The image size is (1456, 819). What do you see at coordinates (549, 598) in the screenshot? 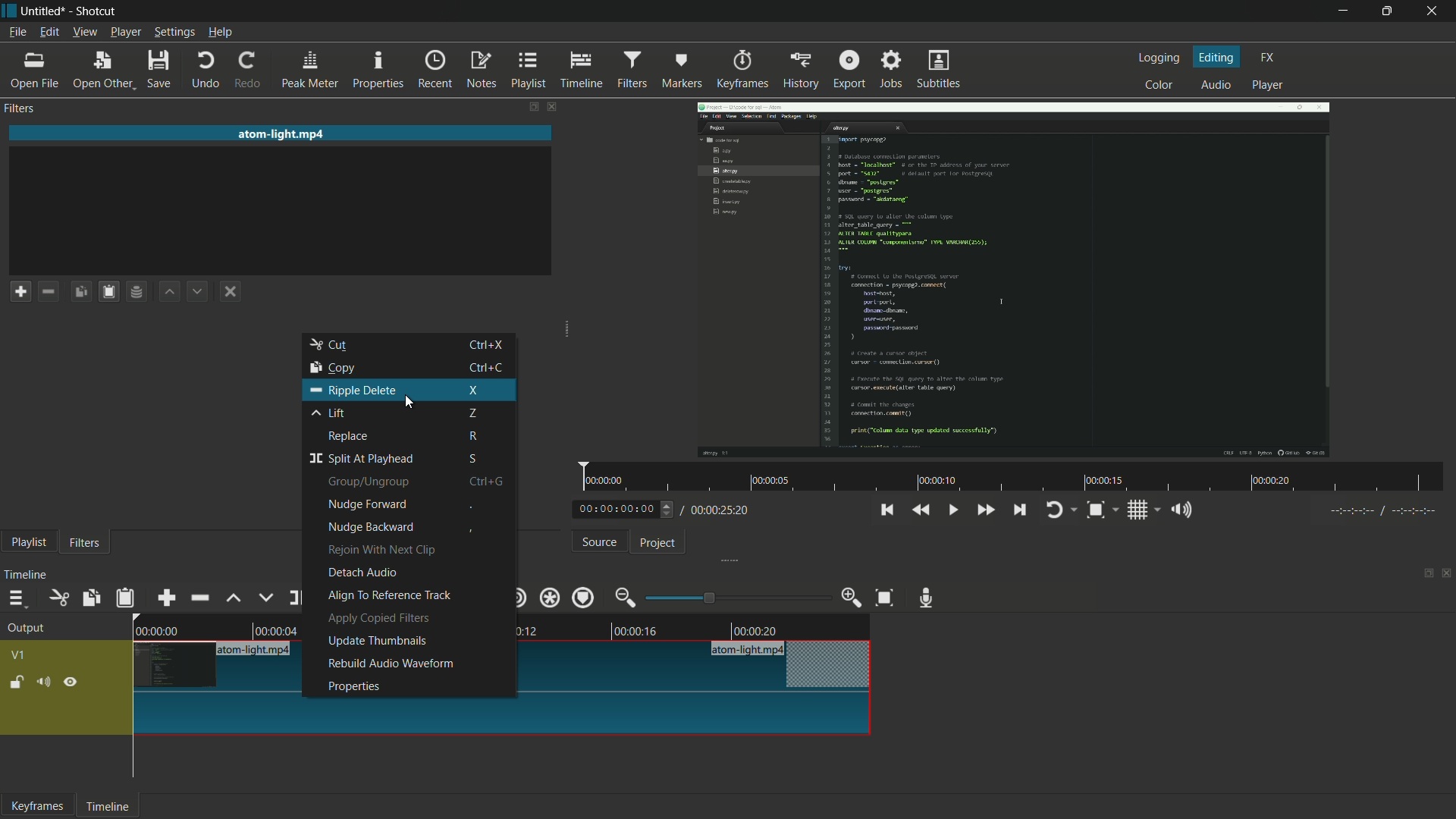
I see `ripple all tracks` at bounding box center [549, 598].